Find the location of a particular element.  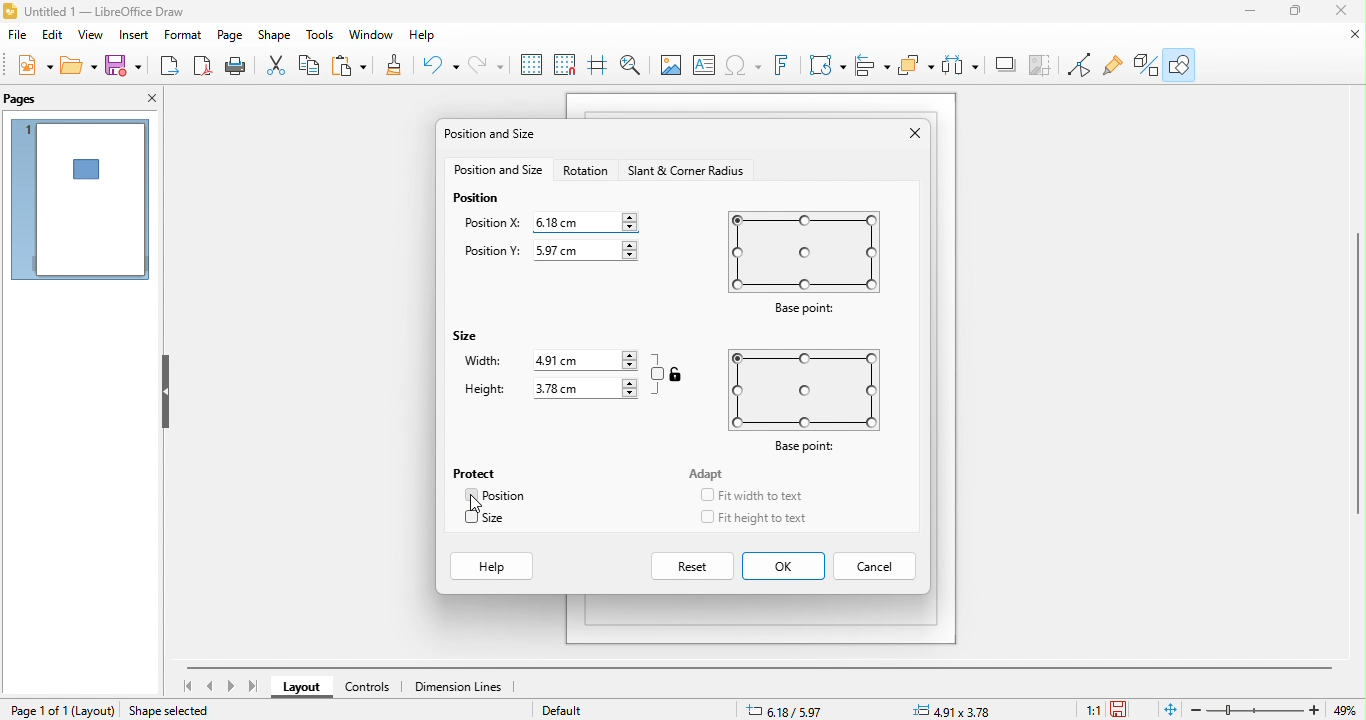

Checkbox  is located at coordinates (706, 517).